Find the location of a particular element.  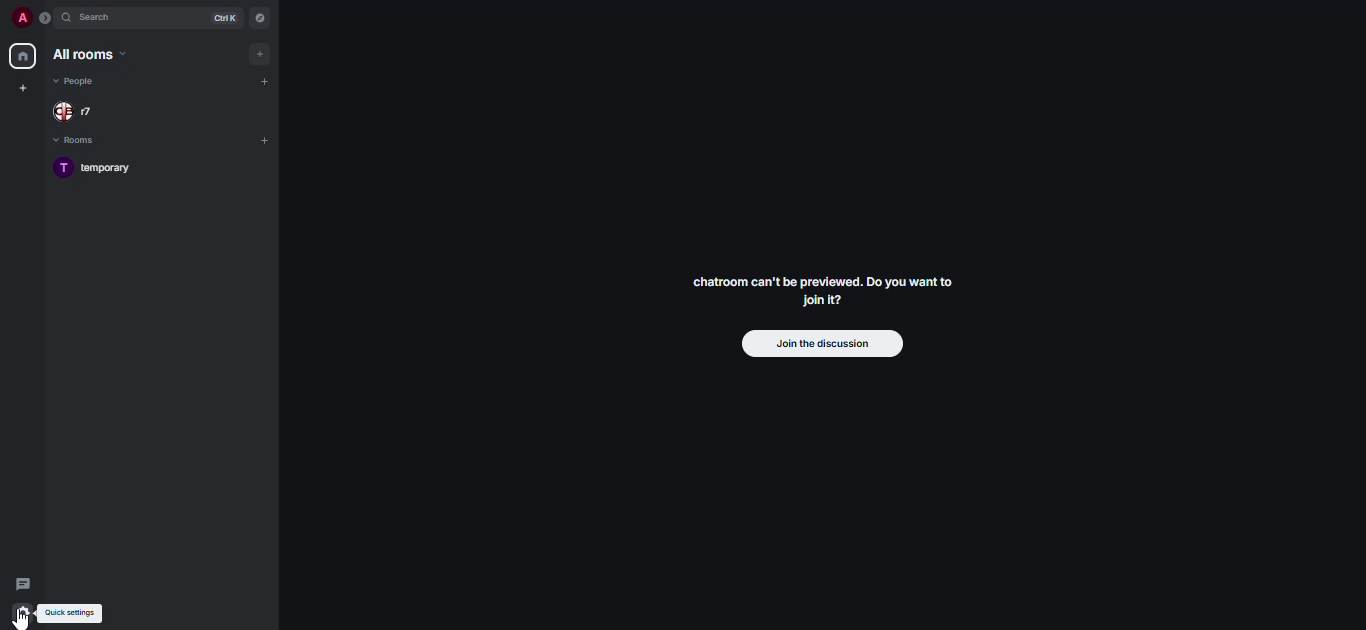

expand is located at coordinates (41, 19).